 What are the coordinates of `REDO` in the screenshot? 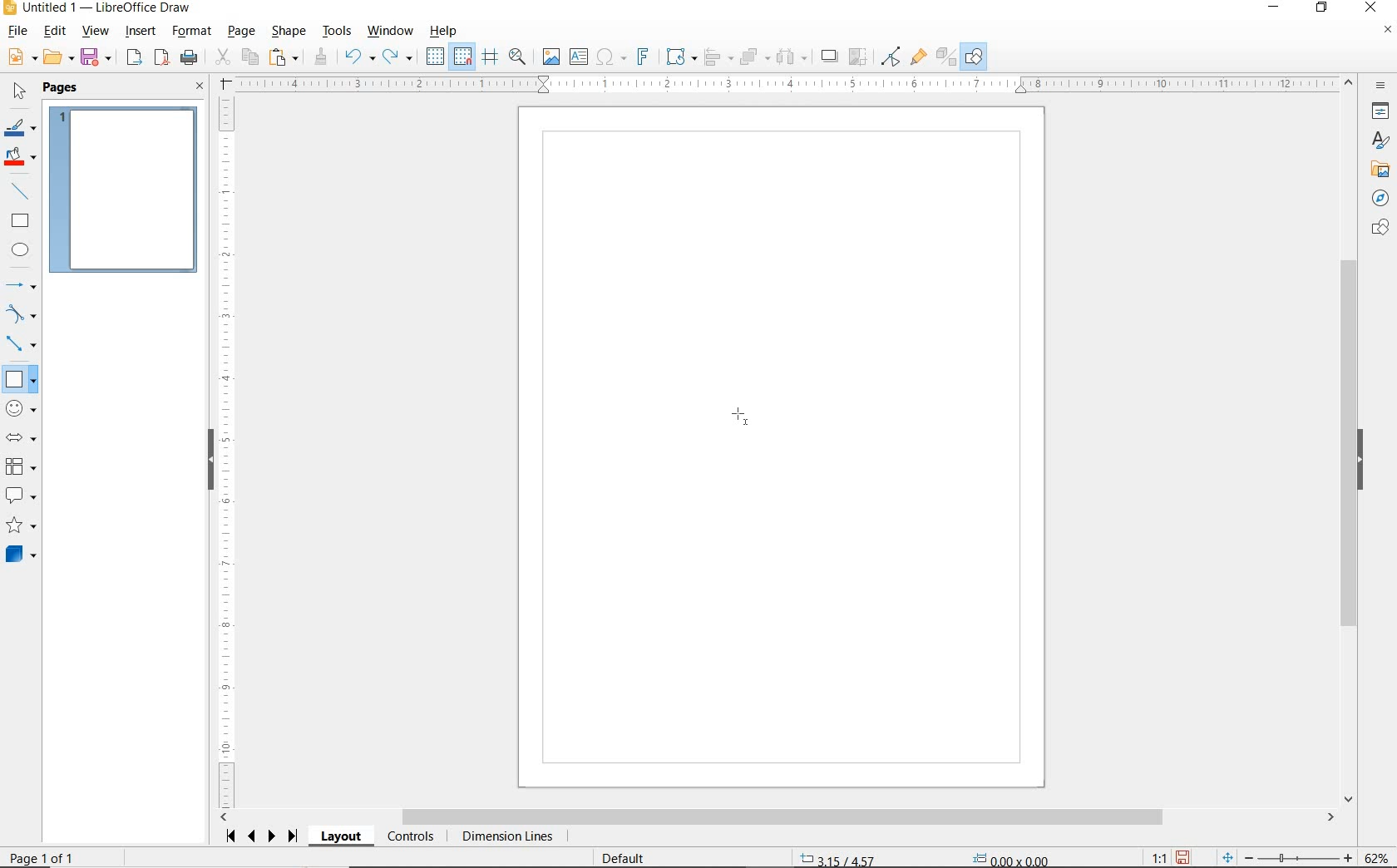 It's located at (402, 57).